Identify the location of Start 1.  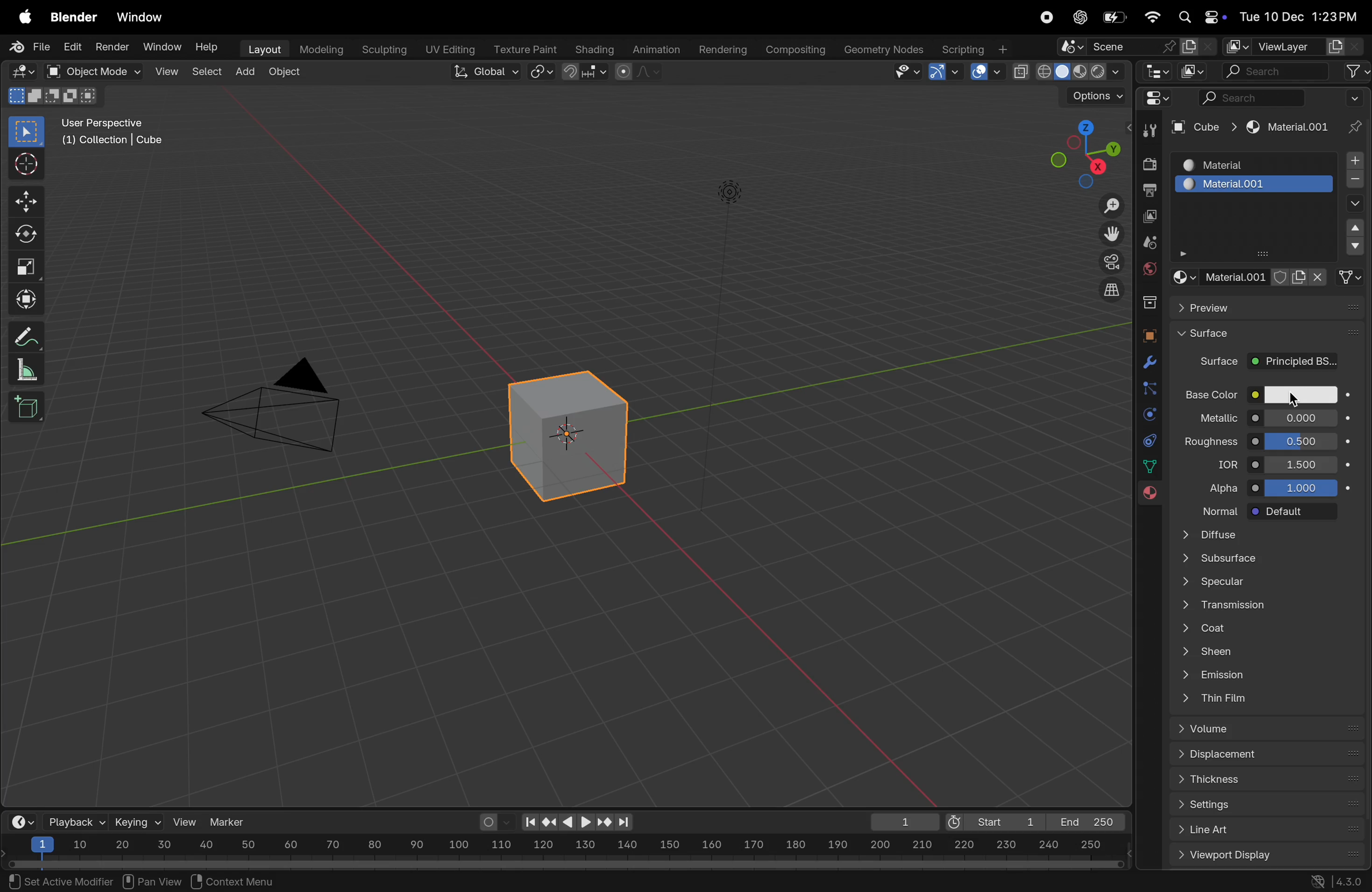
(993, 820).